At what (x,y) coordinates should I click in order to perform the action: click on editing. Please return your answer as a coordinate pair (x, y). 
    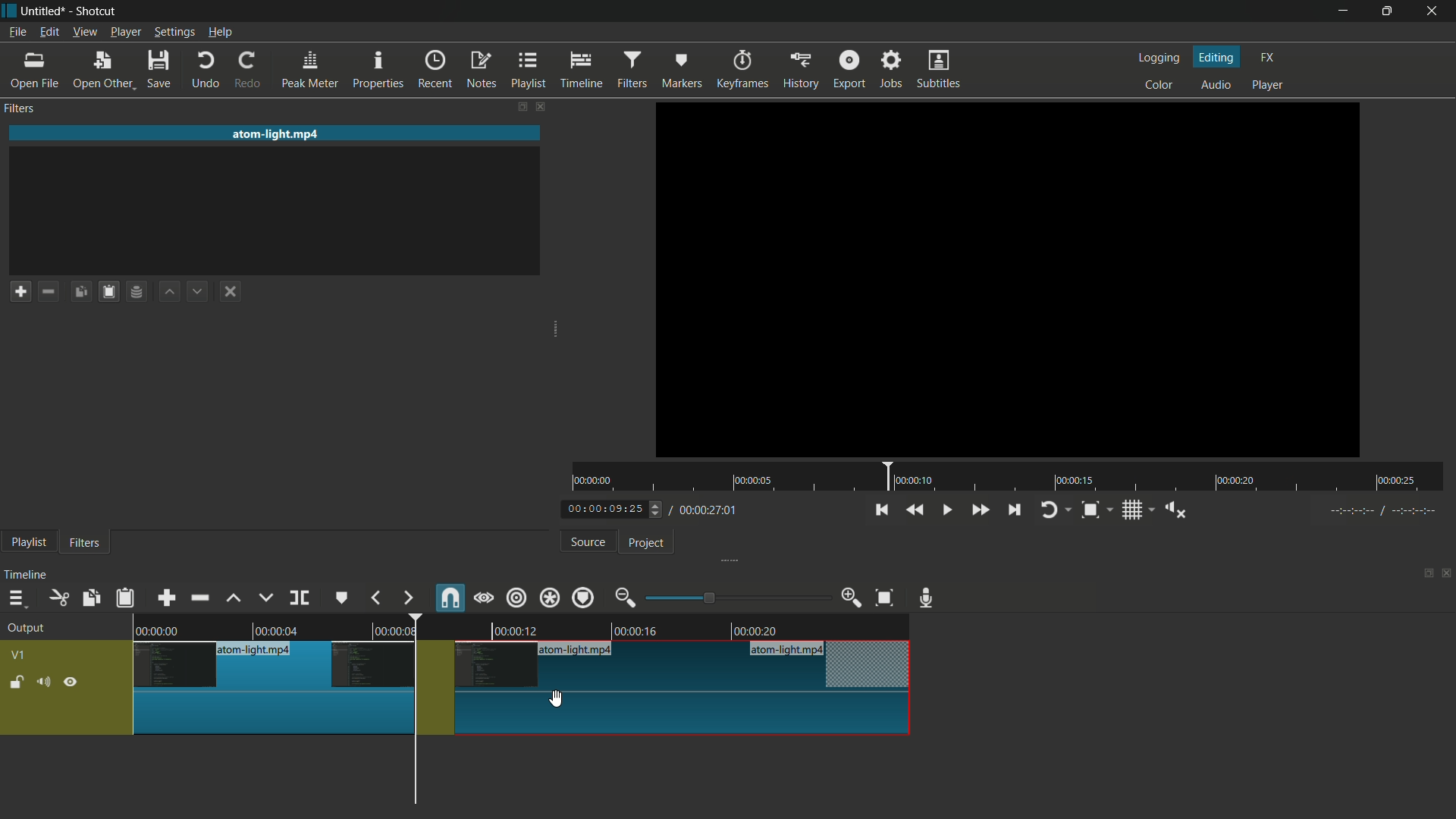
    Looking at the image, I should click on (1217, 56).